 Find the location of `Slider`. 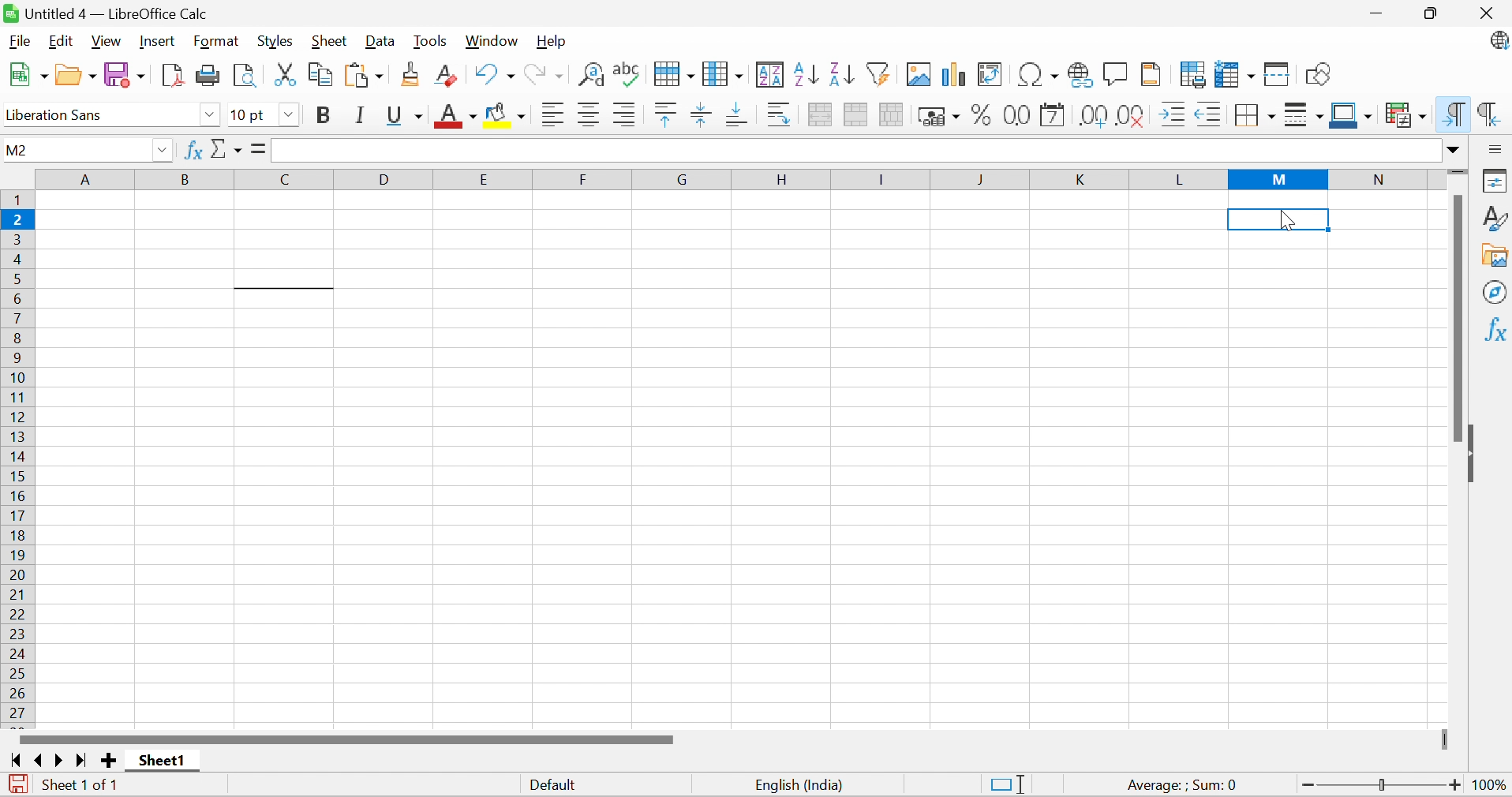

Slider is located at coordinates (1447, 740).